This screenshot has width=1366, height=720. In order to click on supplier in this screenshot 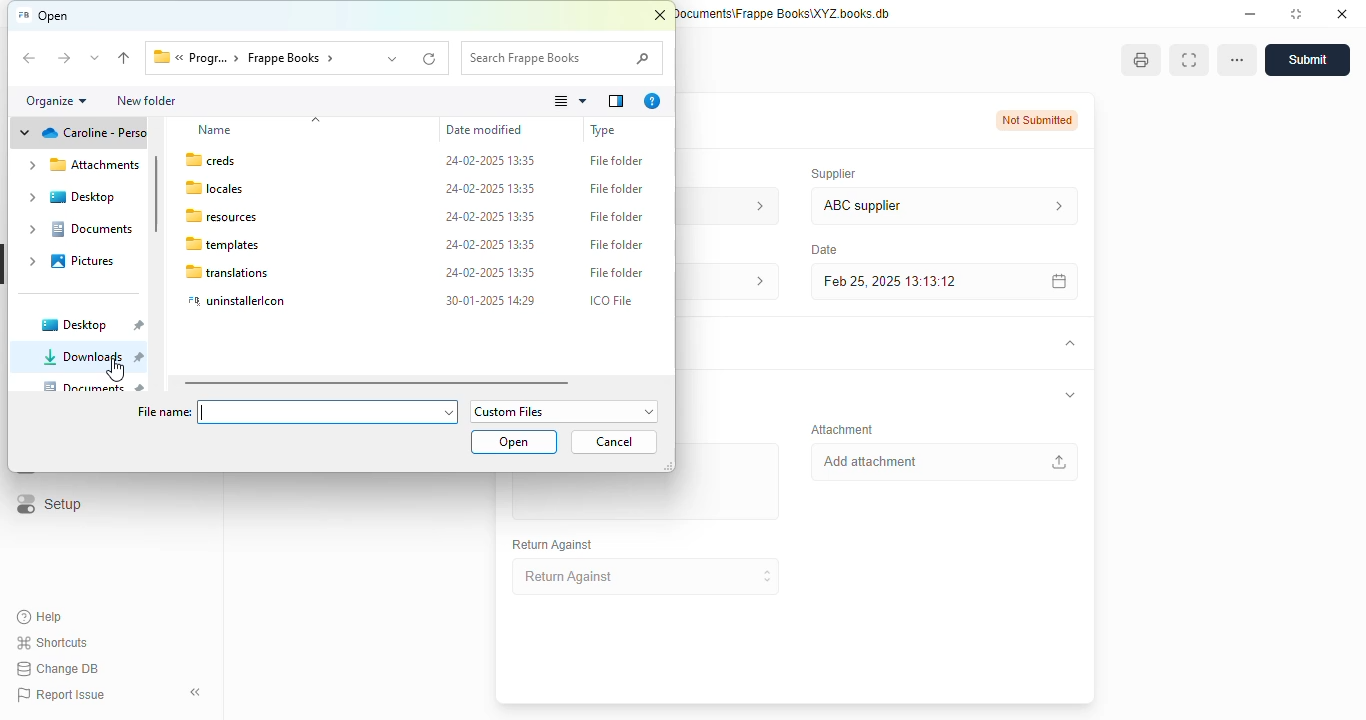, I will do `click(829, 173)`.